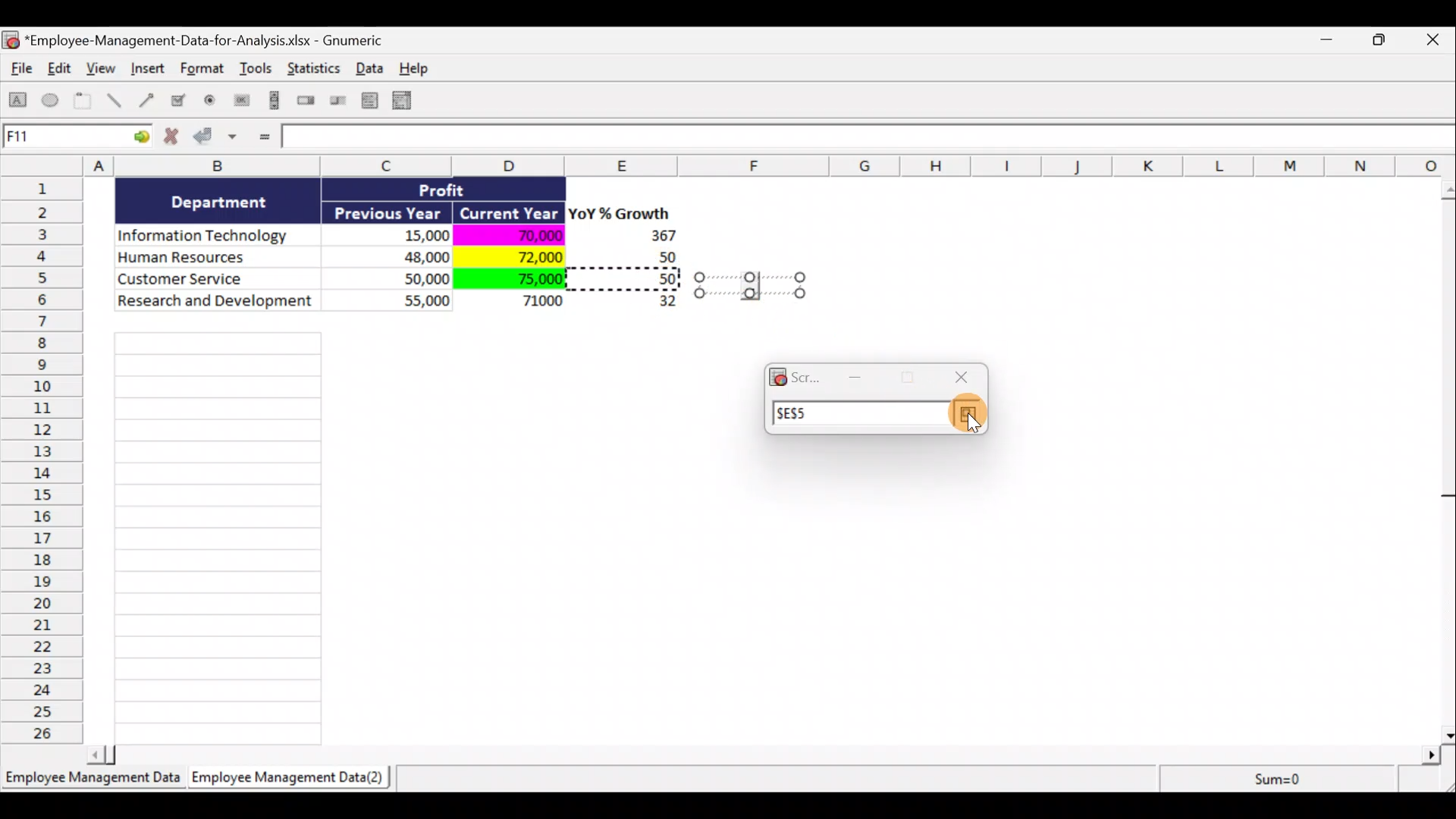 The height and width of the screenshot is (819, 1456). I want to click on Create a slider, so click(336, 103).